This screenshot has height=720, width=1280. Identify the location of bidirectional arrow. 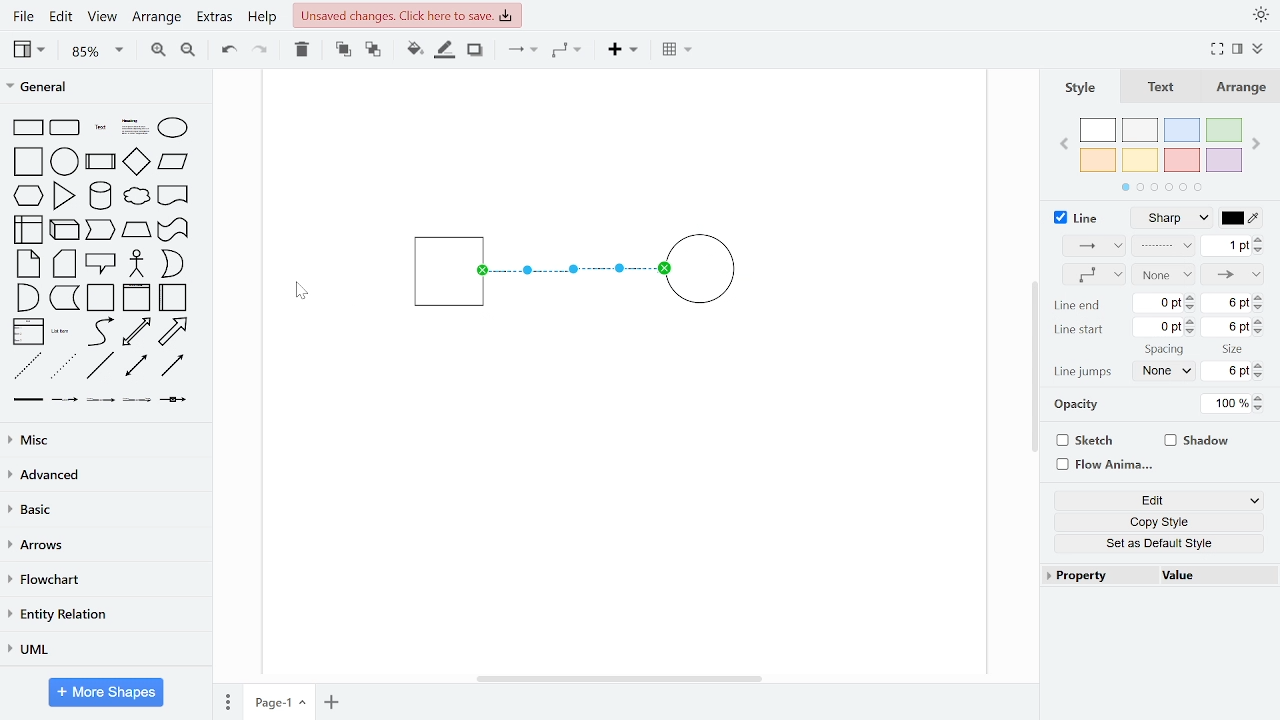
(136, 332).